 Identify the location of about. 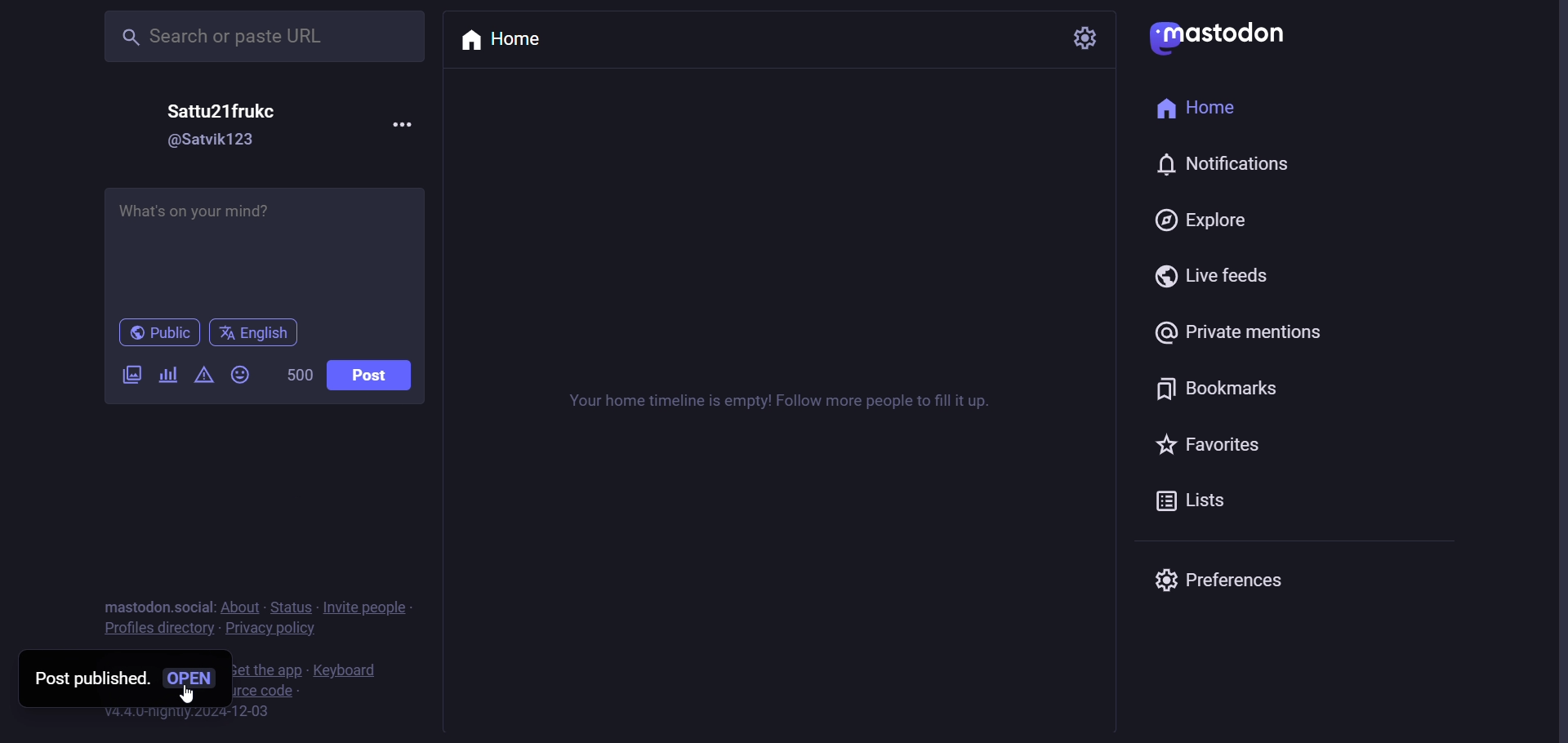
(241, 608).